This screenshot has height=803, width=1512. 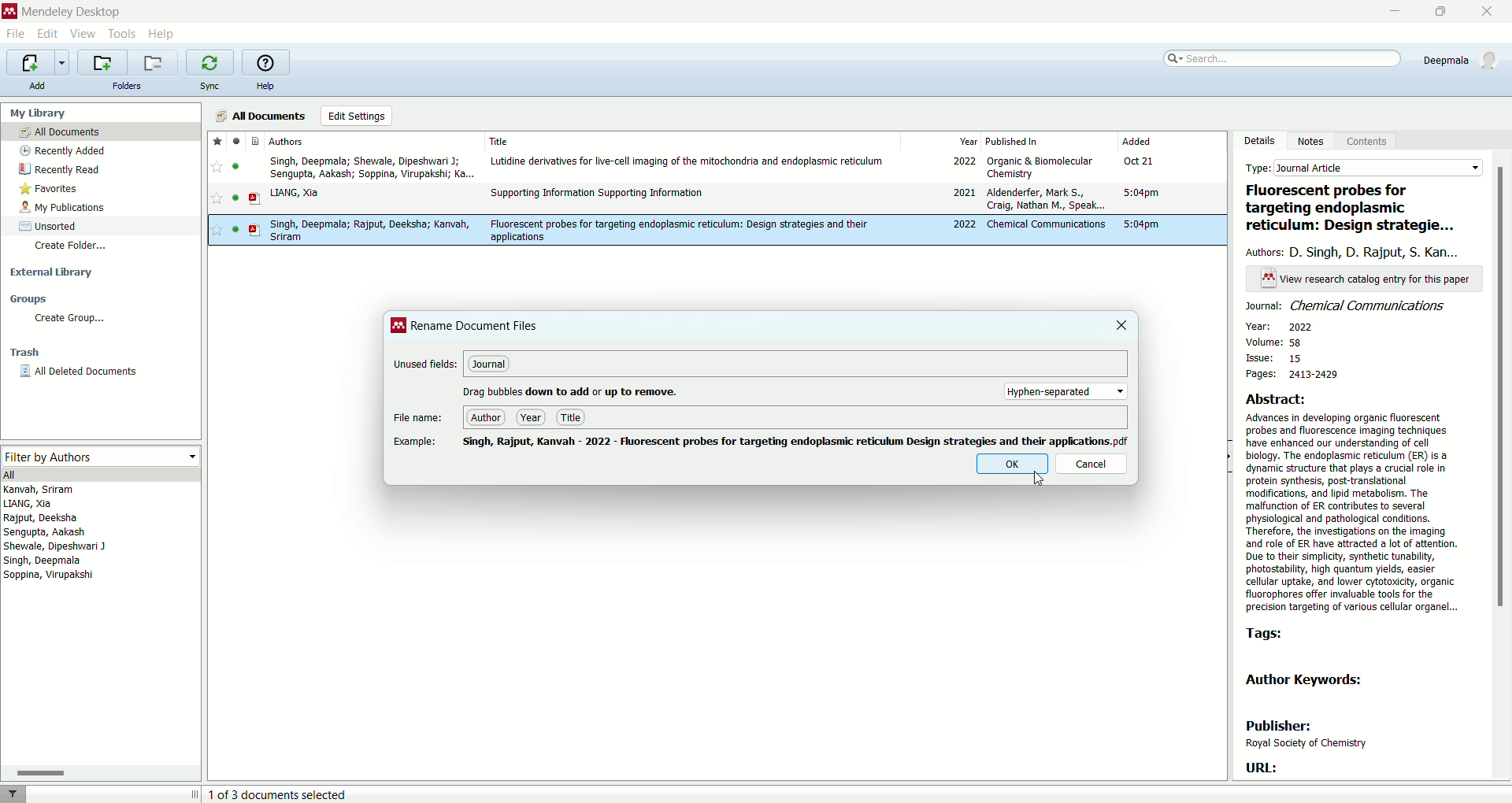 I want to click on example, so click(x=418, y=442).